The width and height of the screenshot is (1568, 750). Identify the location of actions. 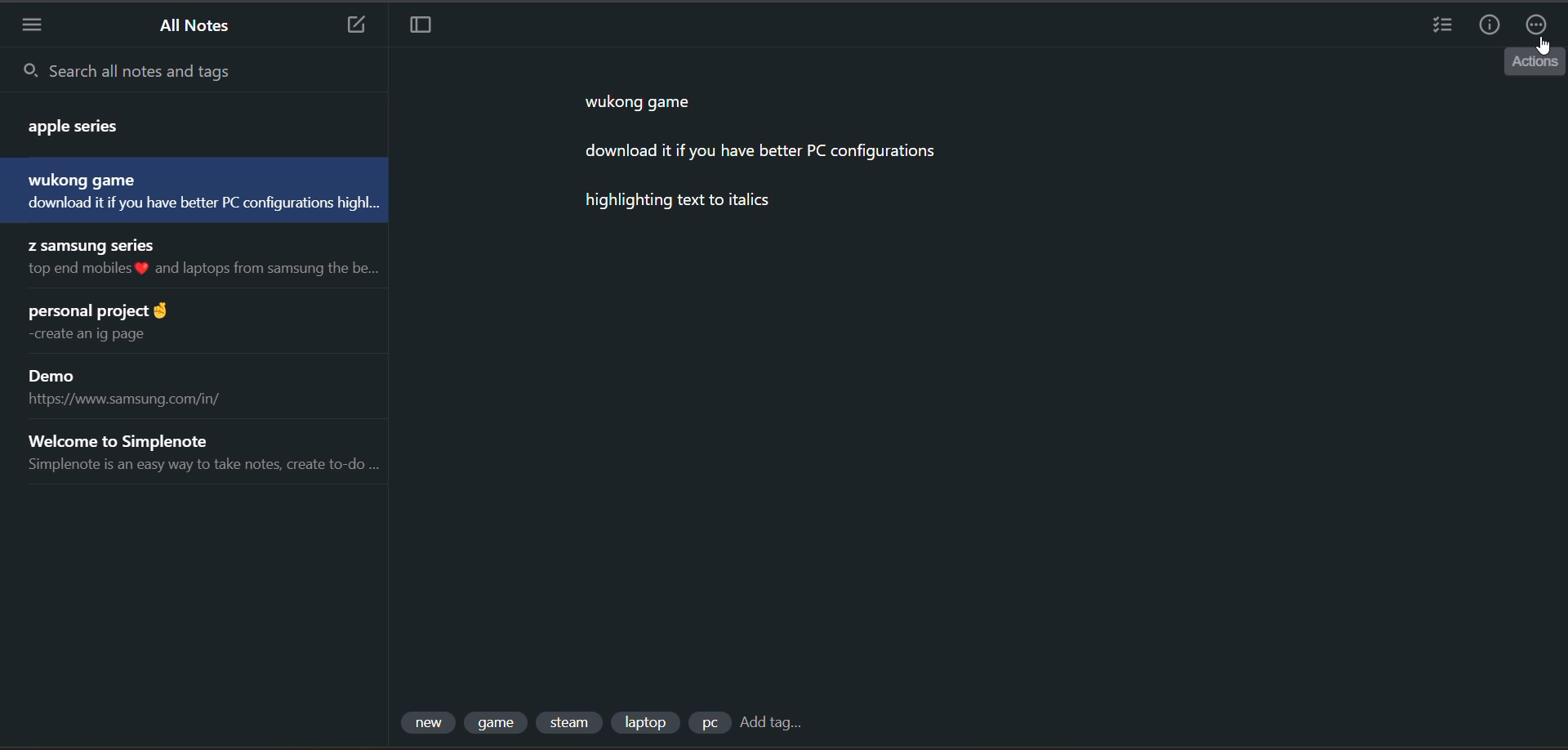
(1541, 27).